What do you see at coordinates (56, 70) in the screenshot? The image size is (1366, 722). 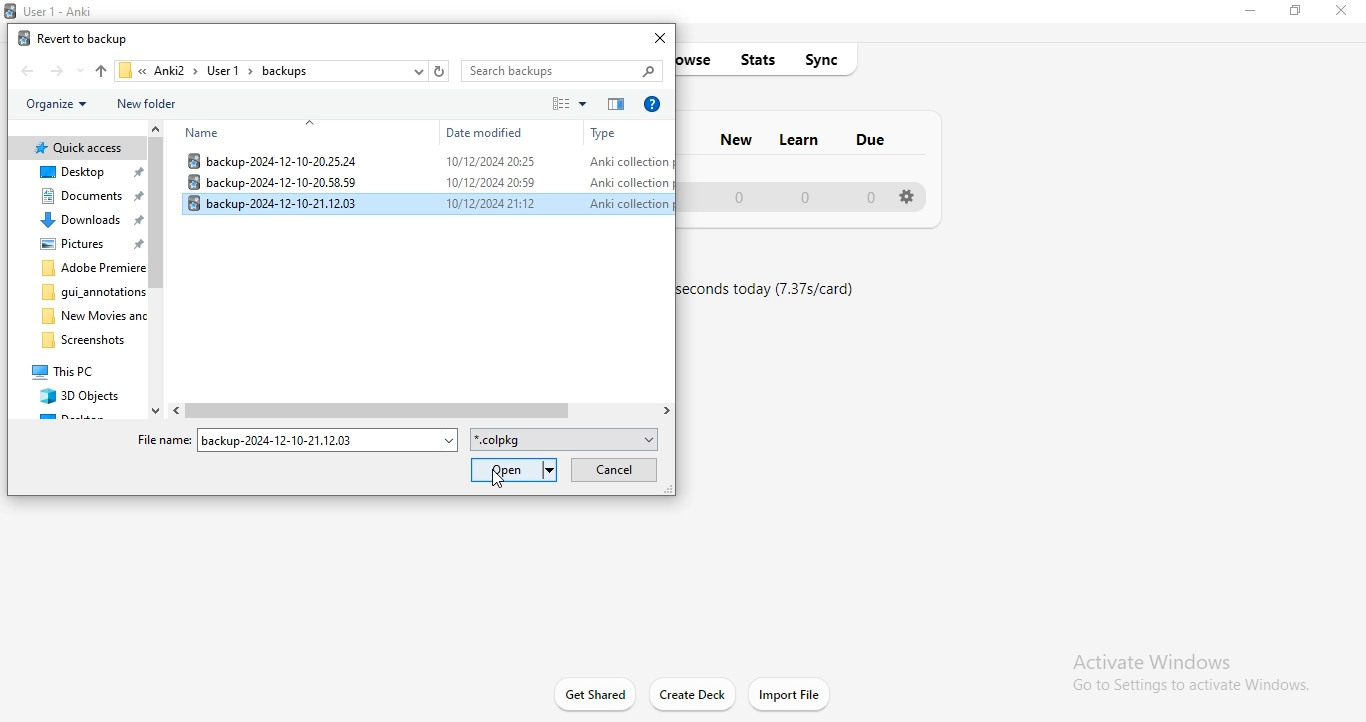 I see `file forward` at bounding box center [56, 70].